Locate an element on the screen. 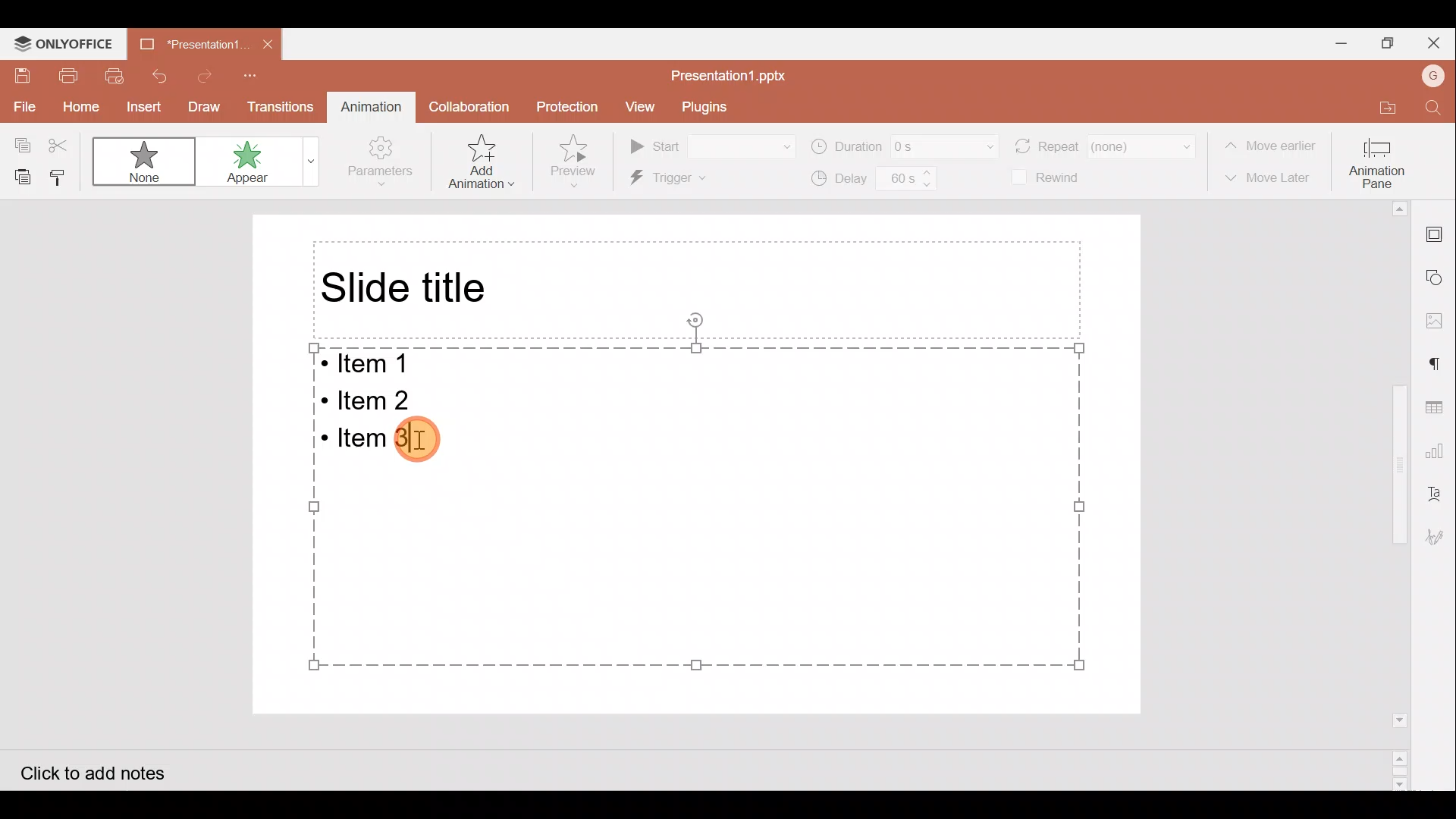  File is located at coordinates (19, 105).